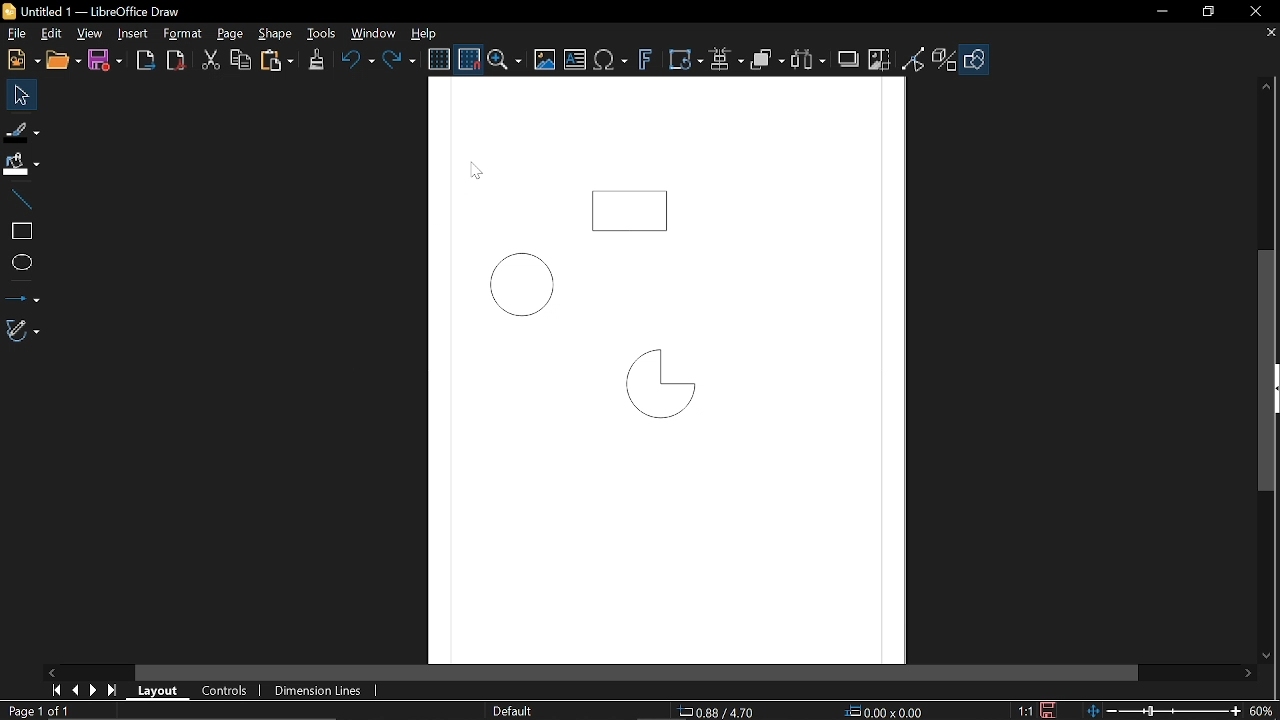  What do you see at coordinates (400, 61) in the screenshot?
I see `Redo` at bounding box center [400, 61].